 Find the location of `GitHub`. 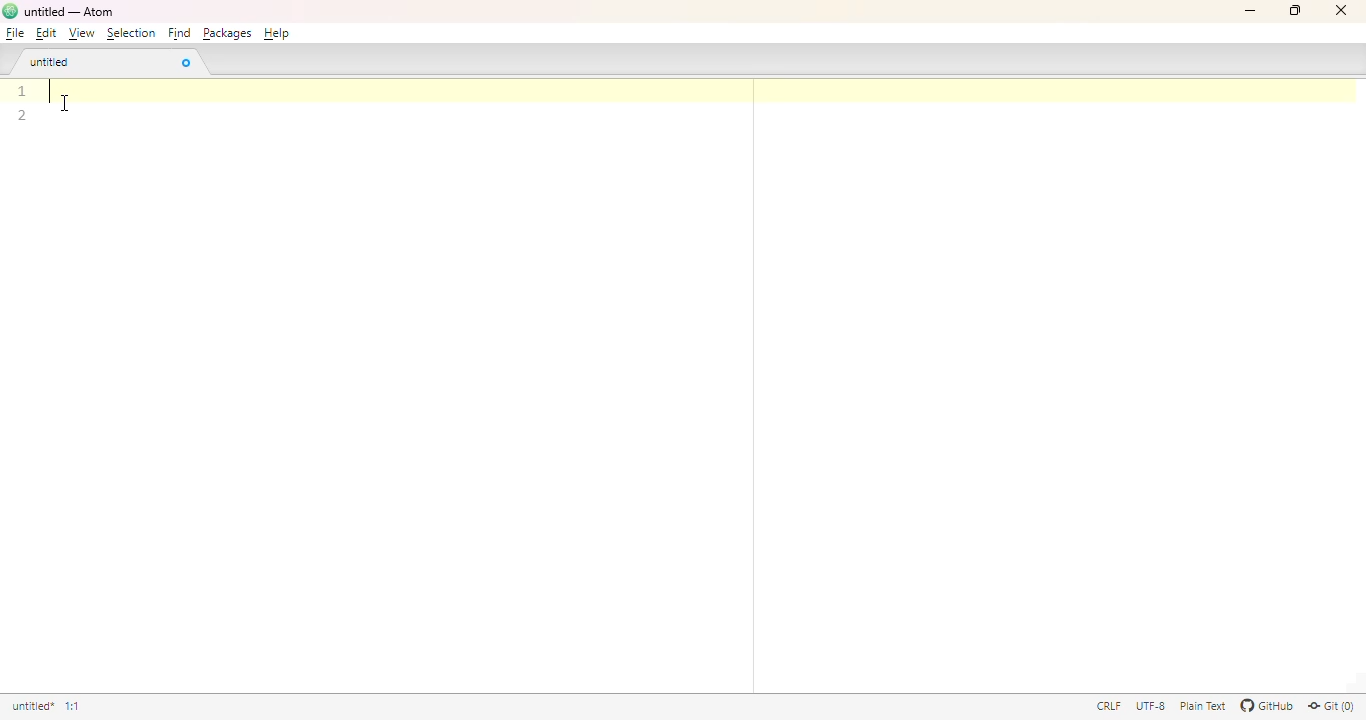

GitHub is located at coordinates (1266, 705).